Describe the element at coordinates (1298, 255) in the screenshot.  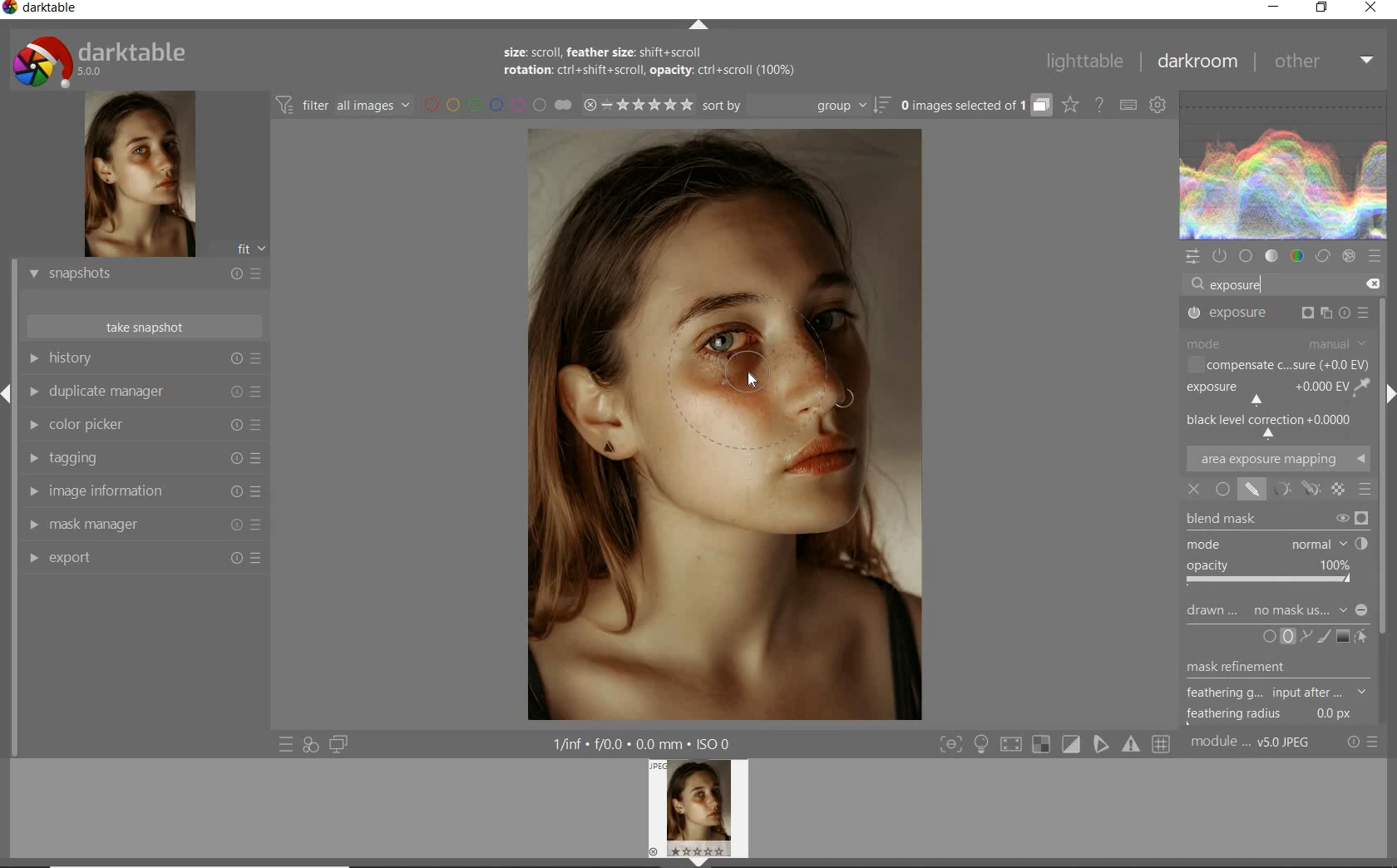
I see `color` at that location.